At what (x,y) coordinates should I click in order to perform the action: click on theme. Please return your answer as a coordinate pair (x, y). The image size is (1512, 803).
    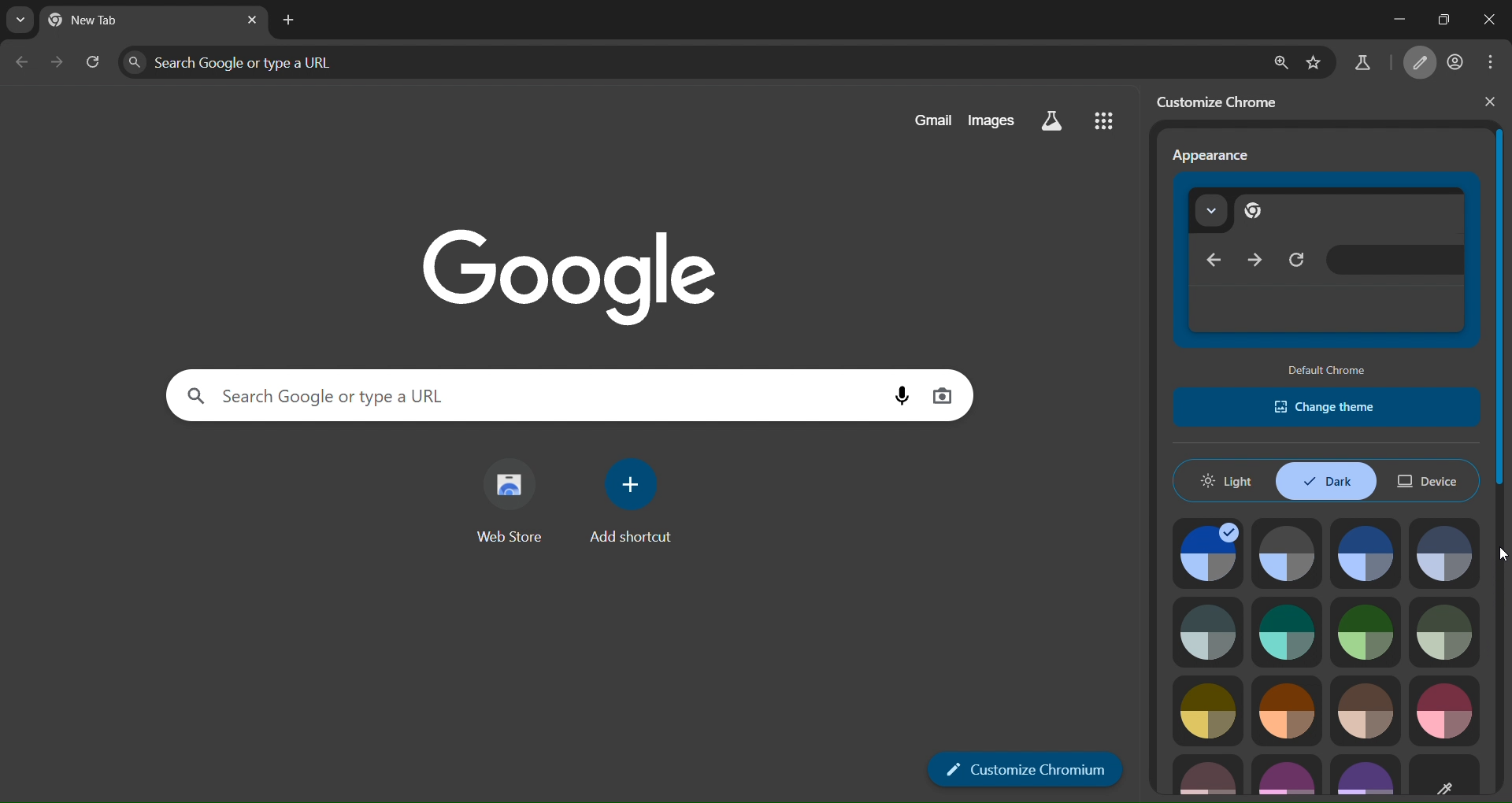
    Looking at the image, I should click on (1444, 633).